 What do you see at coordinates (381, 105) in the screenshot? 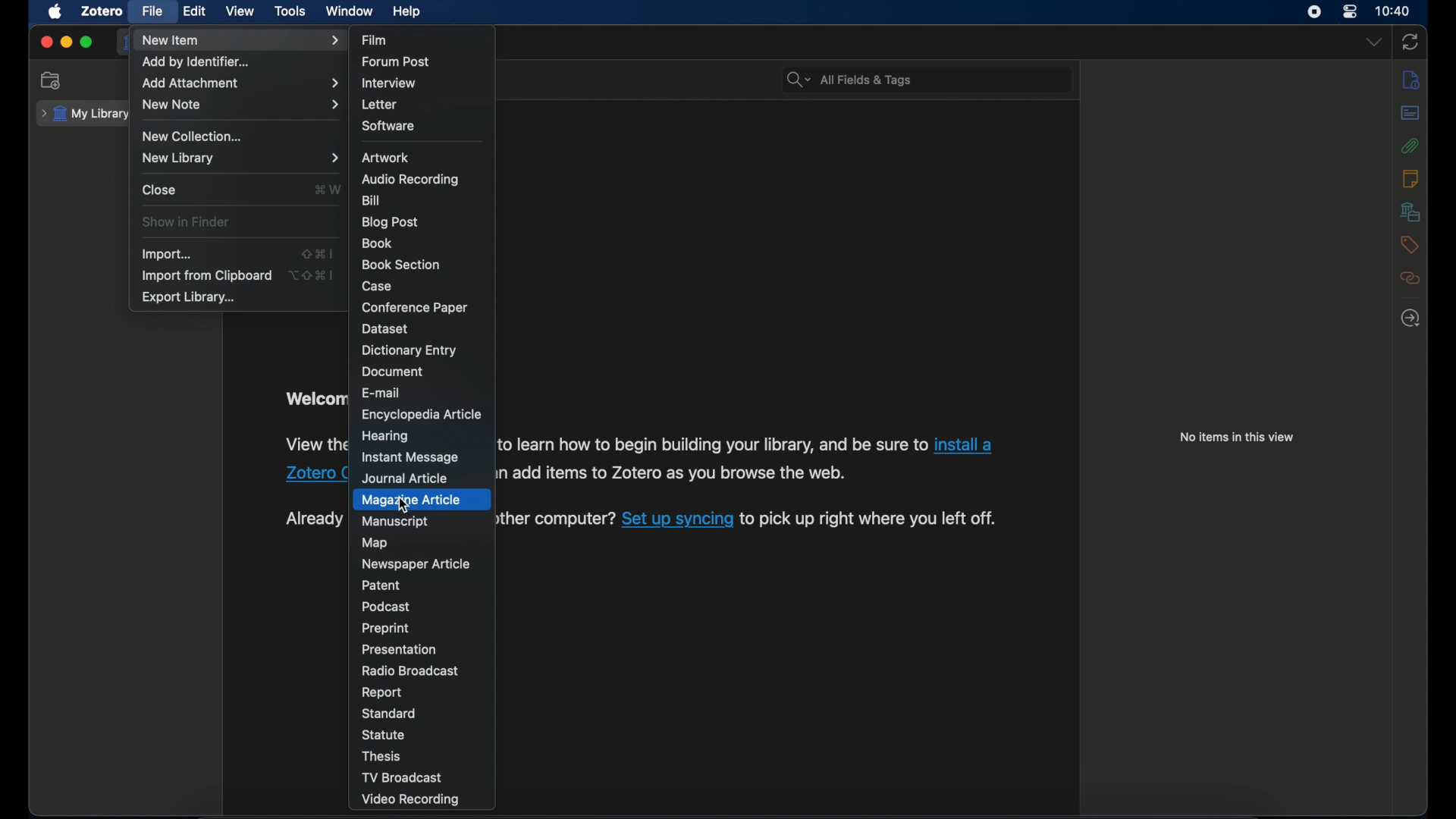
I see `letter` at bounding box center [381, 105].